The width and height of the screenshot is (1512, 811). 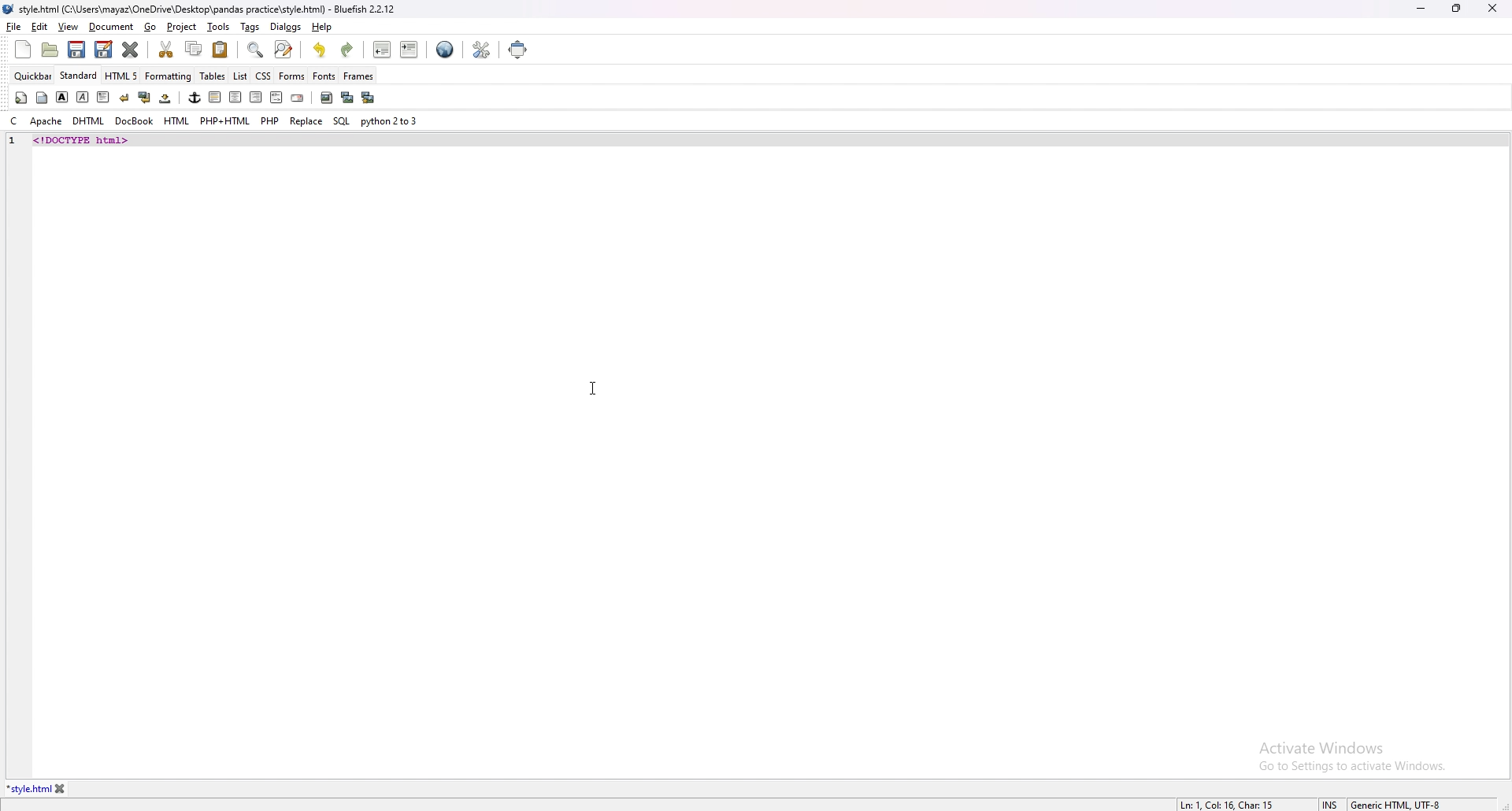 I want to click on advanced find and replace, so click(x=283, y=49).